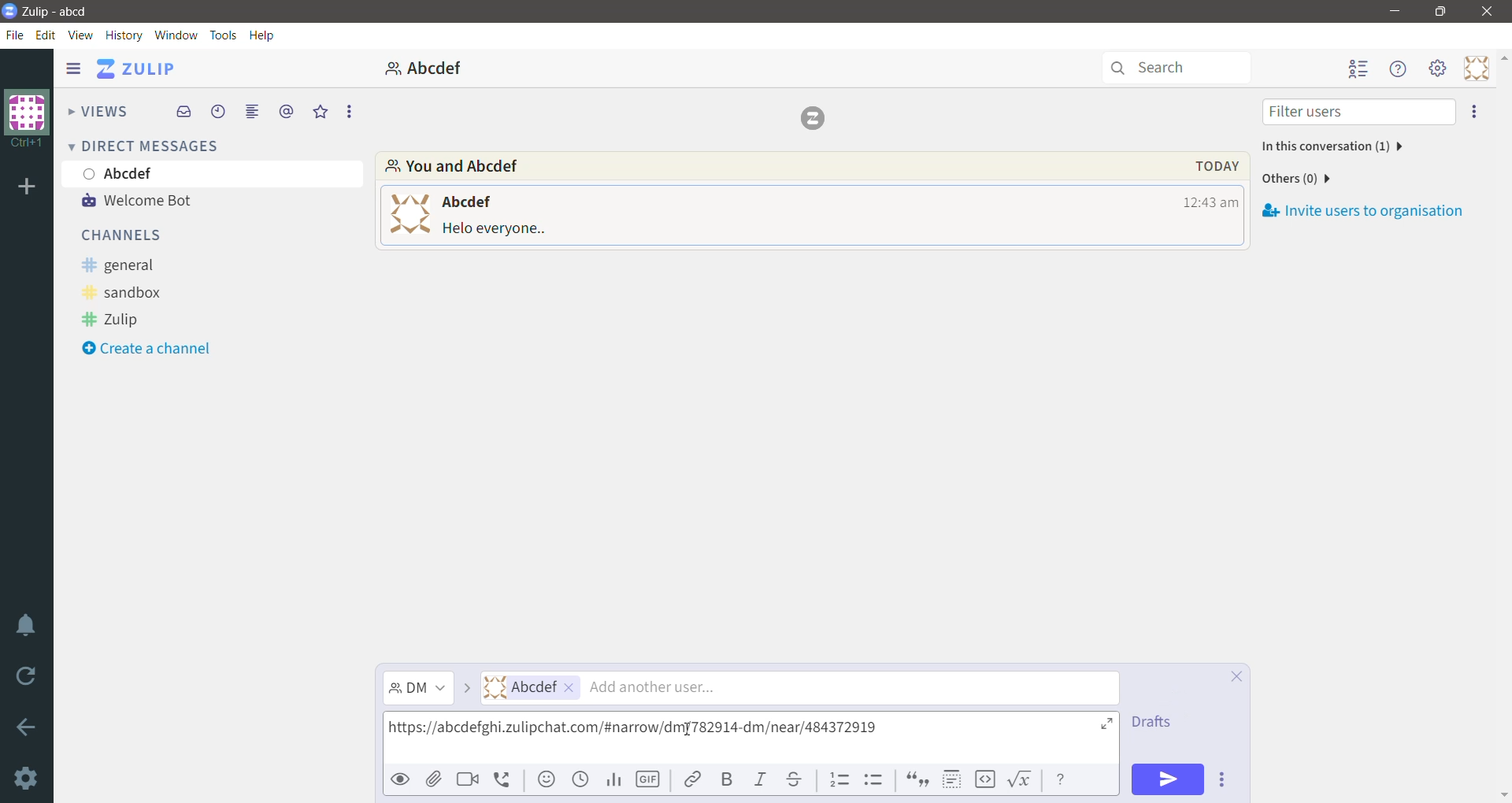 The height and width of the screenshot is (803, 1512). What do you see at coordinates (225, 35) in the screenshot?
I see `Tools` at bounding box center [225, 35].